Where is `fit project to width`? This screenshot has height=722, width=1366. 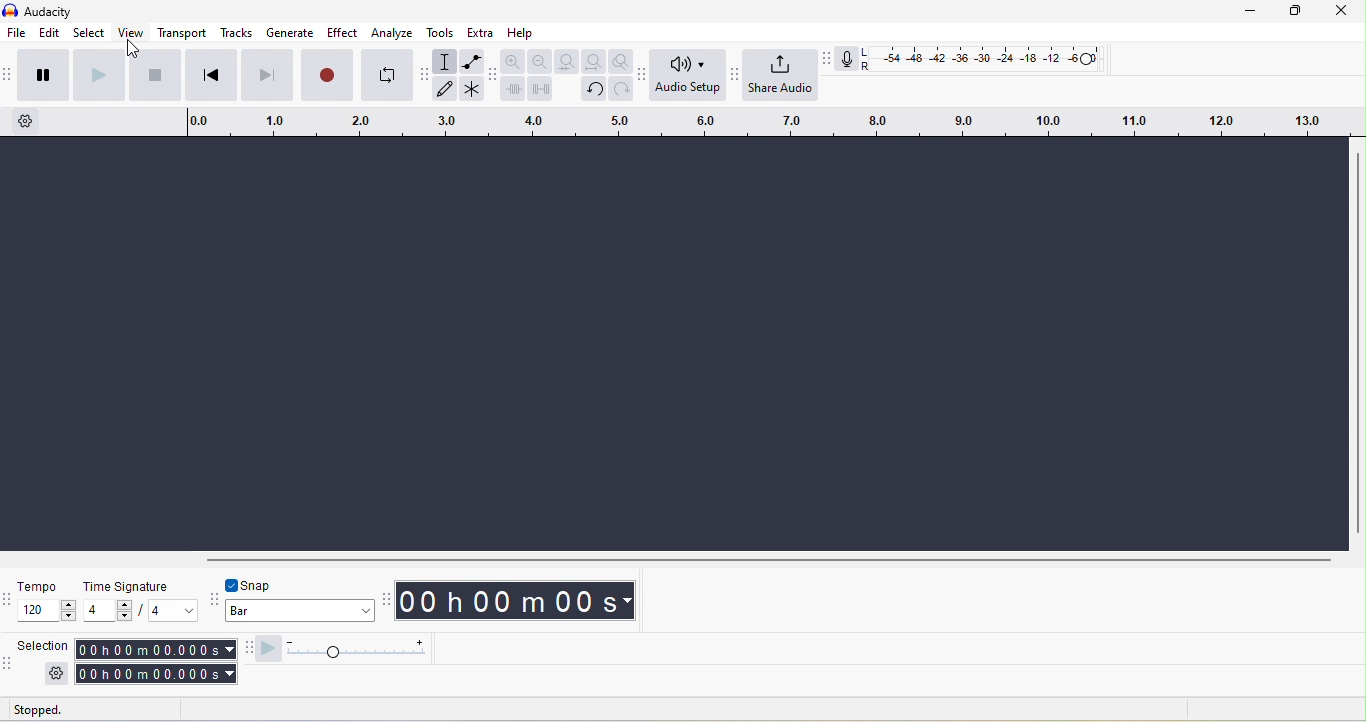 fit project to width is located at coordinates (595, 61).